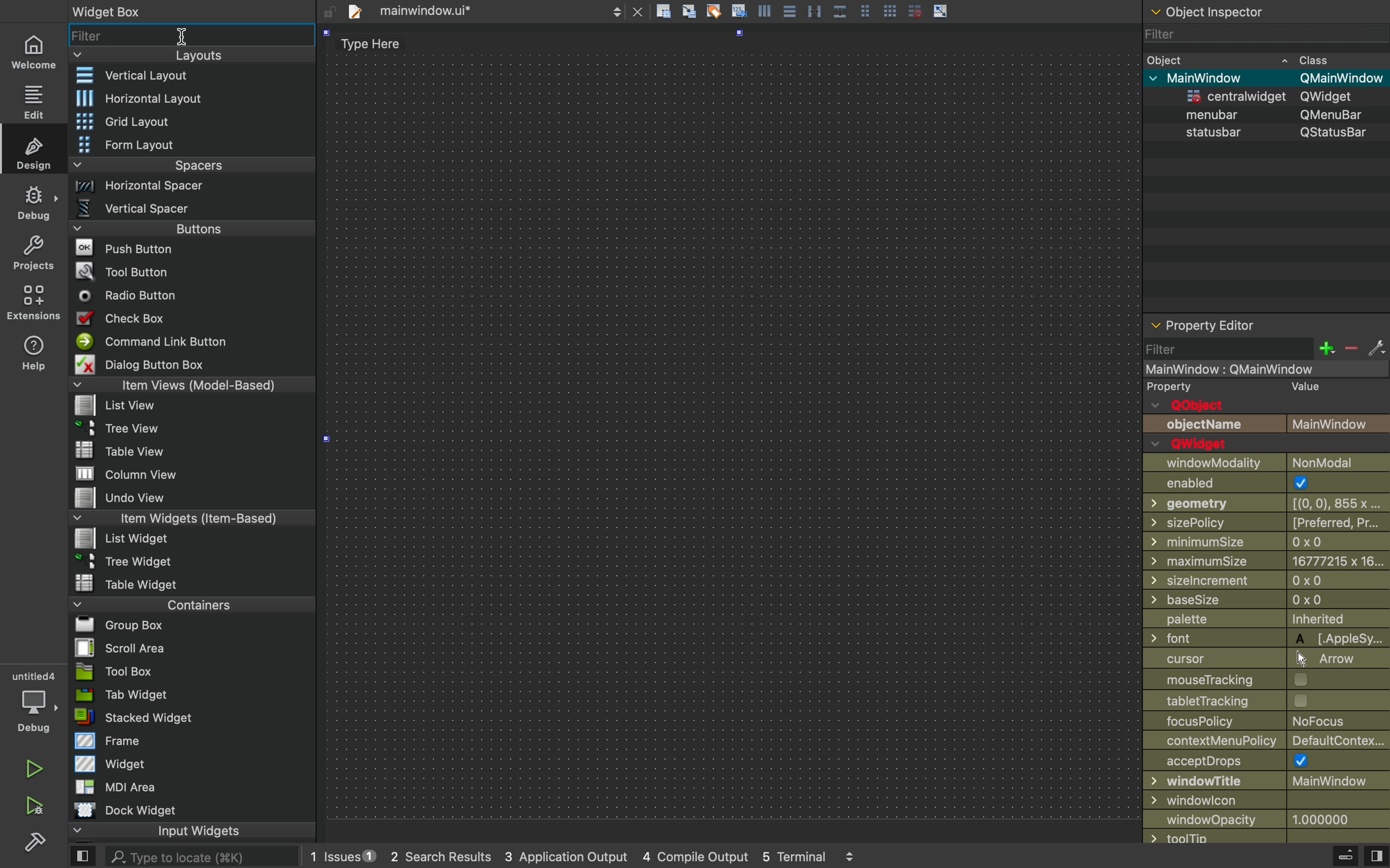 Image resolution: width=1390 pixels, height=868 pixels. Describe the element at coordinates (841, 9) in the screenshot. I see `Box` at that location.